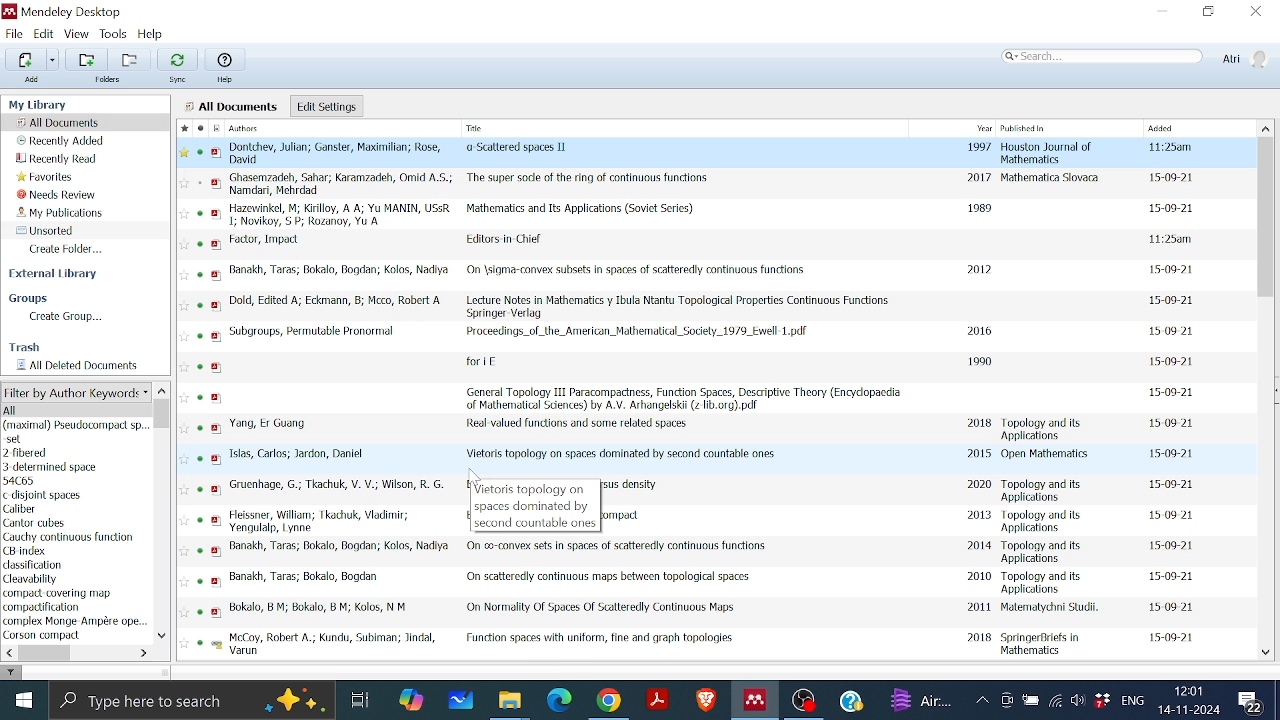 This screenshot has height=720, width=1280. Describe the element at coordinates (1173, 177) in the screenshot. I see `date` at that location.